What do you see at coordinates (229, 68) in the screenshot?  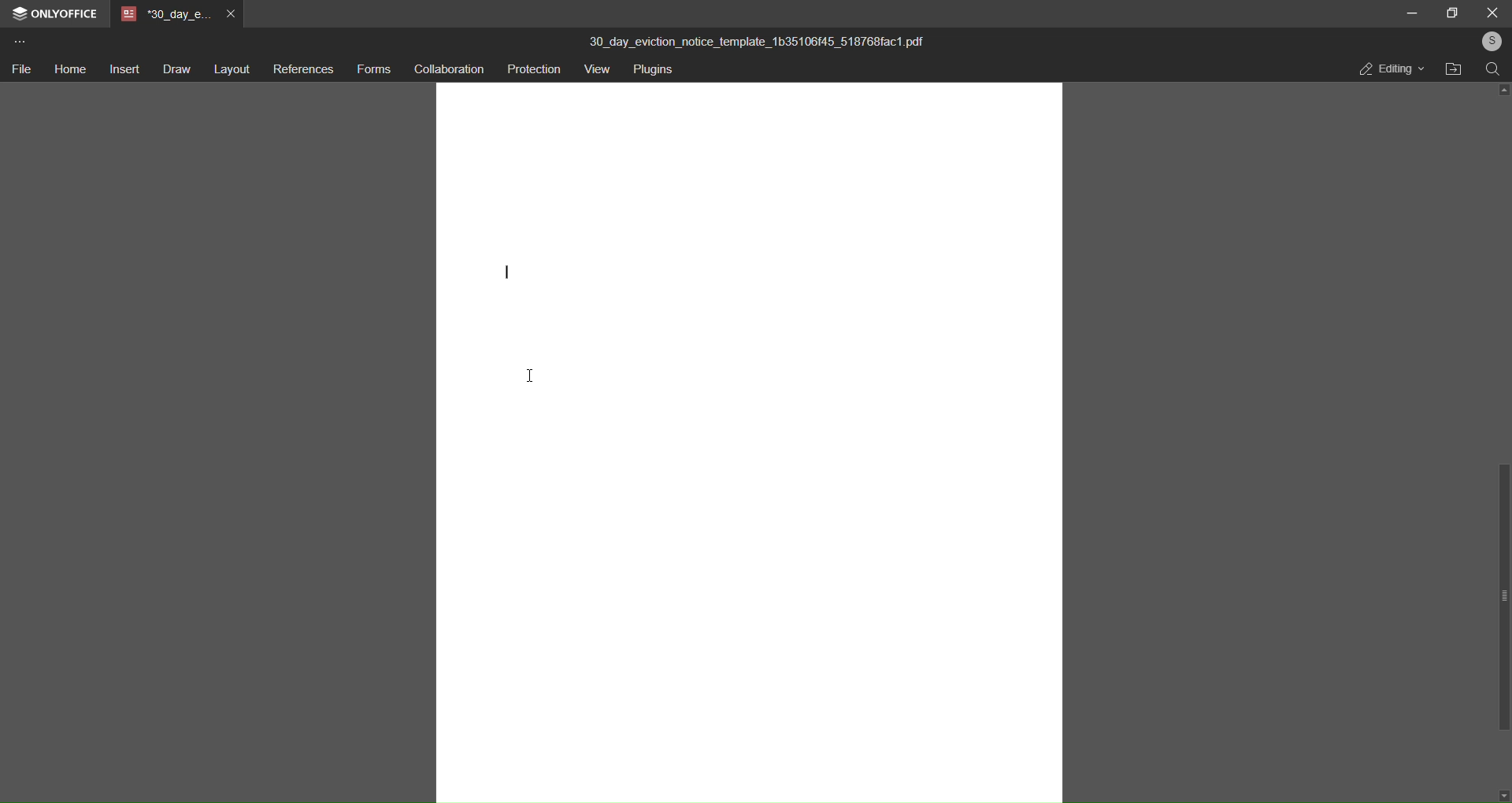 I see `layout` at bounding box center [229, 68].